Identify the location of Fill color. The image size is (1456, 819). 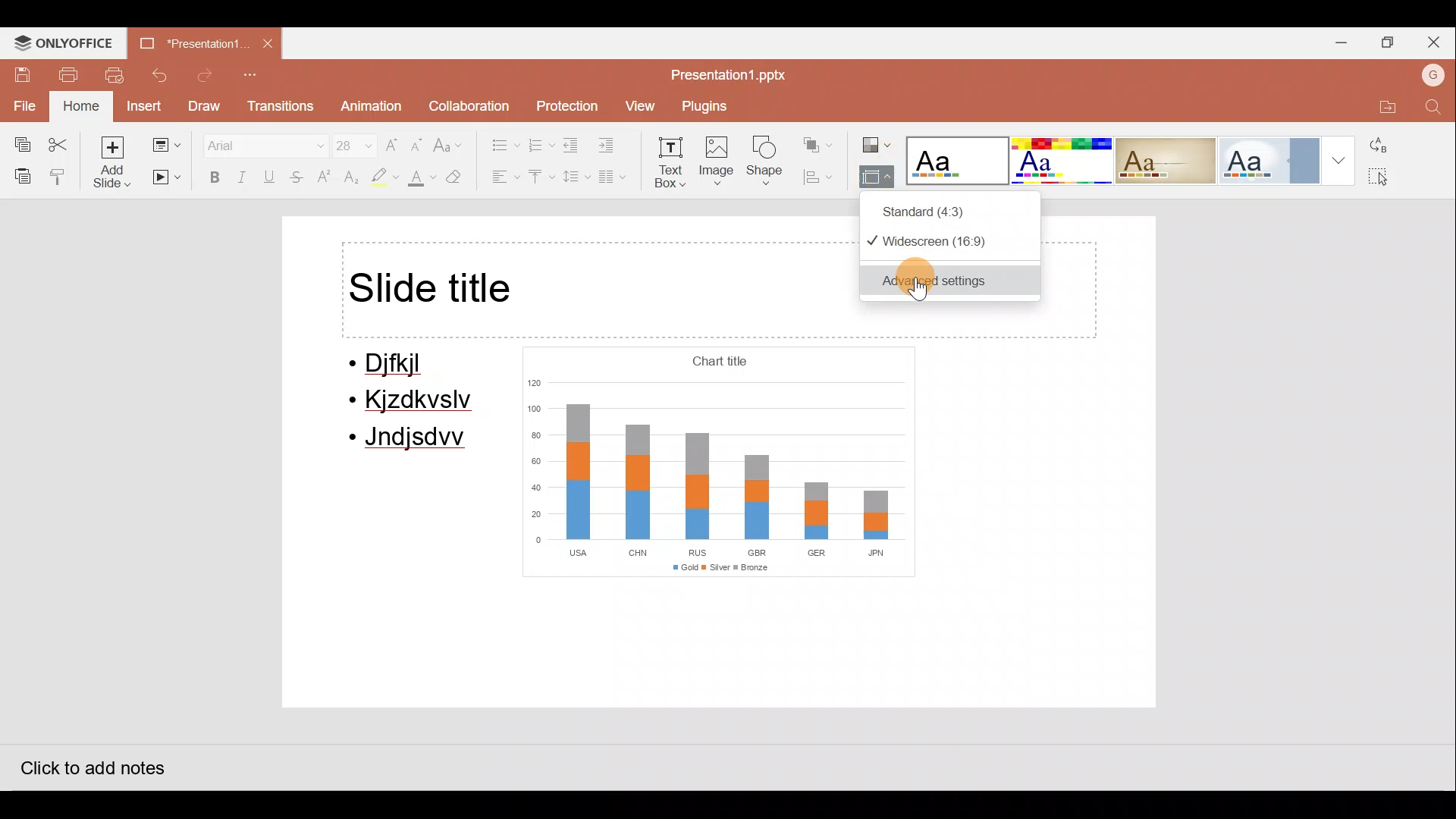
(419, 180).